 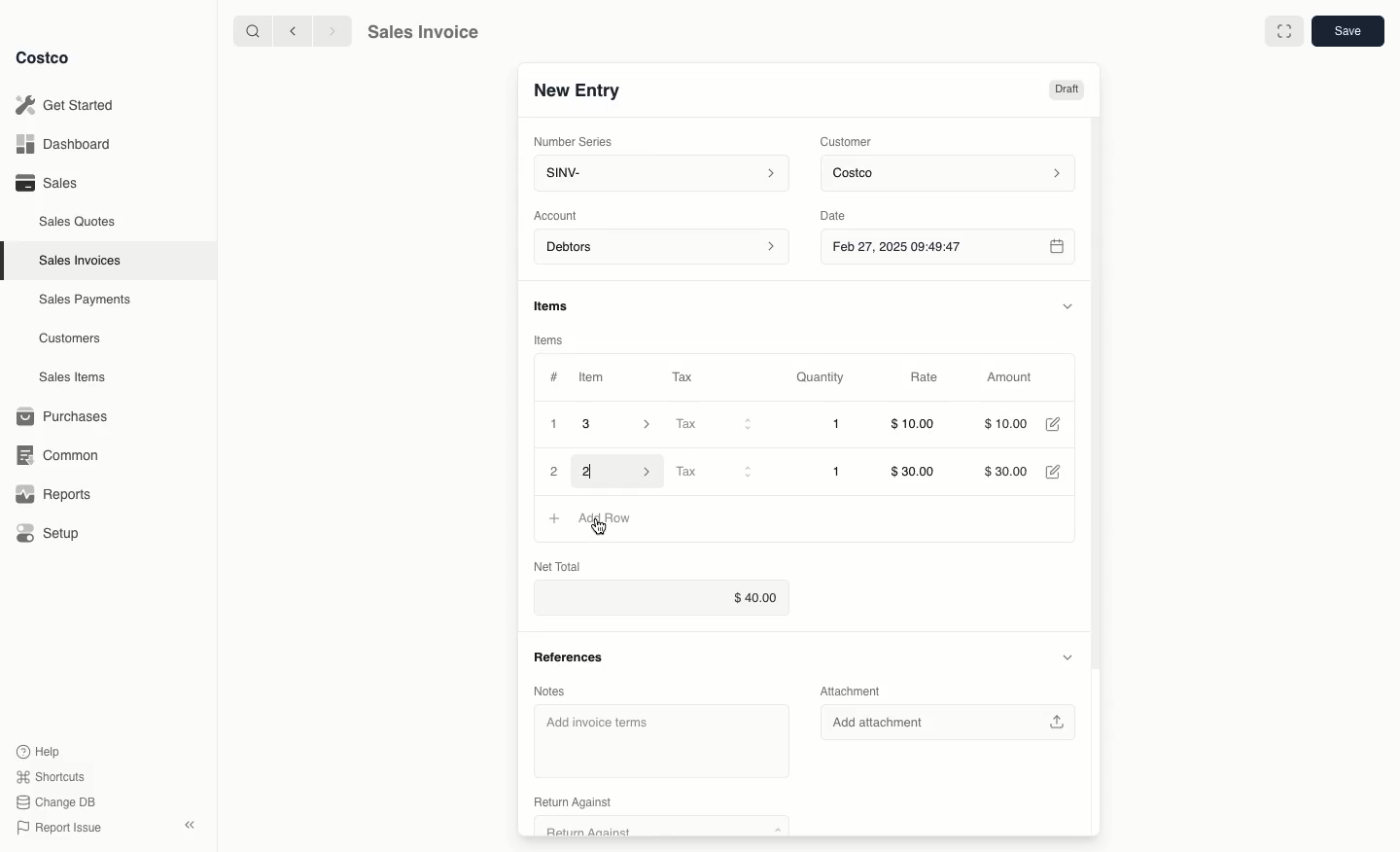 I want to click on Attachment, so click(x=854, y=692).